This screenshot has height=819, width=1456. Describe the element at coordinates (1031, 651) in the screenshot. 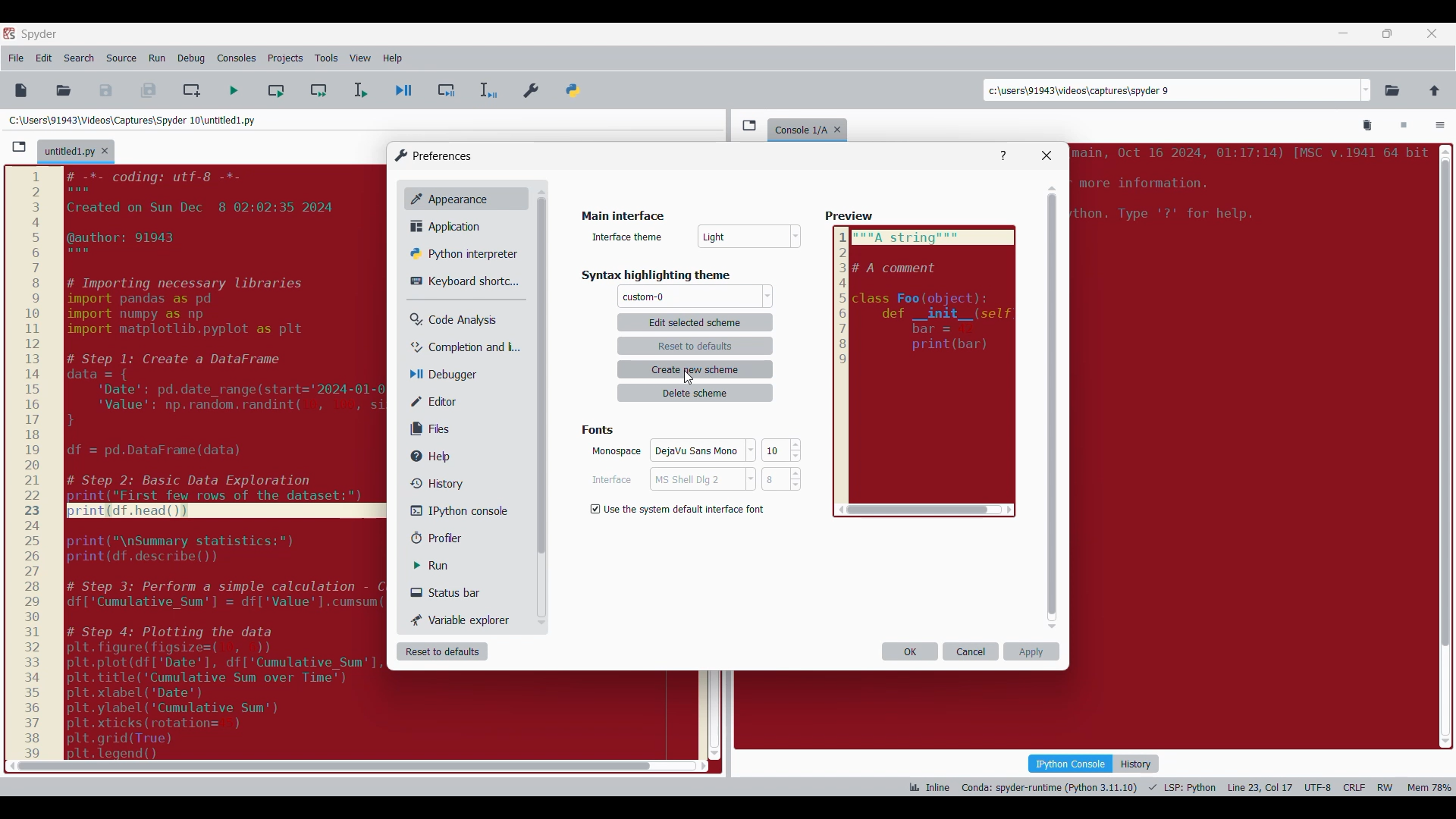

I see `Apply` at that location.